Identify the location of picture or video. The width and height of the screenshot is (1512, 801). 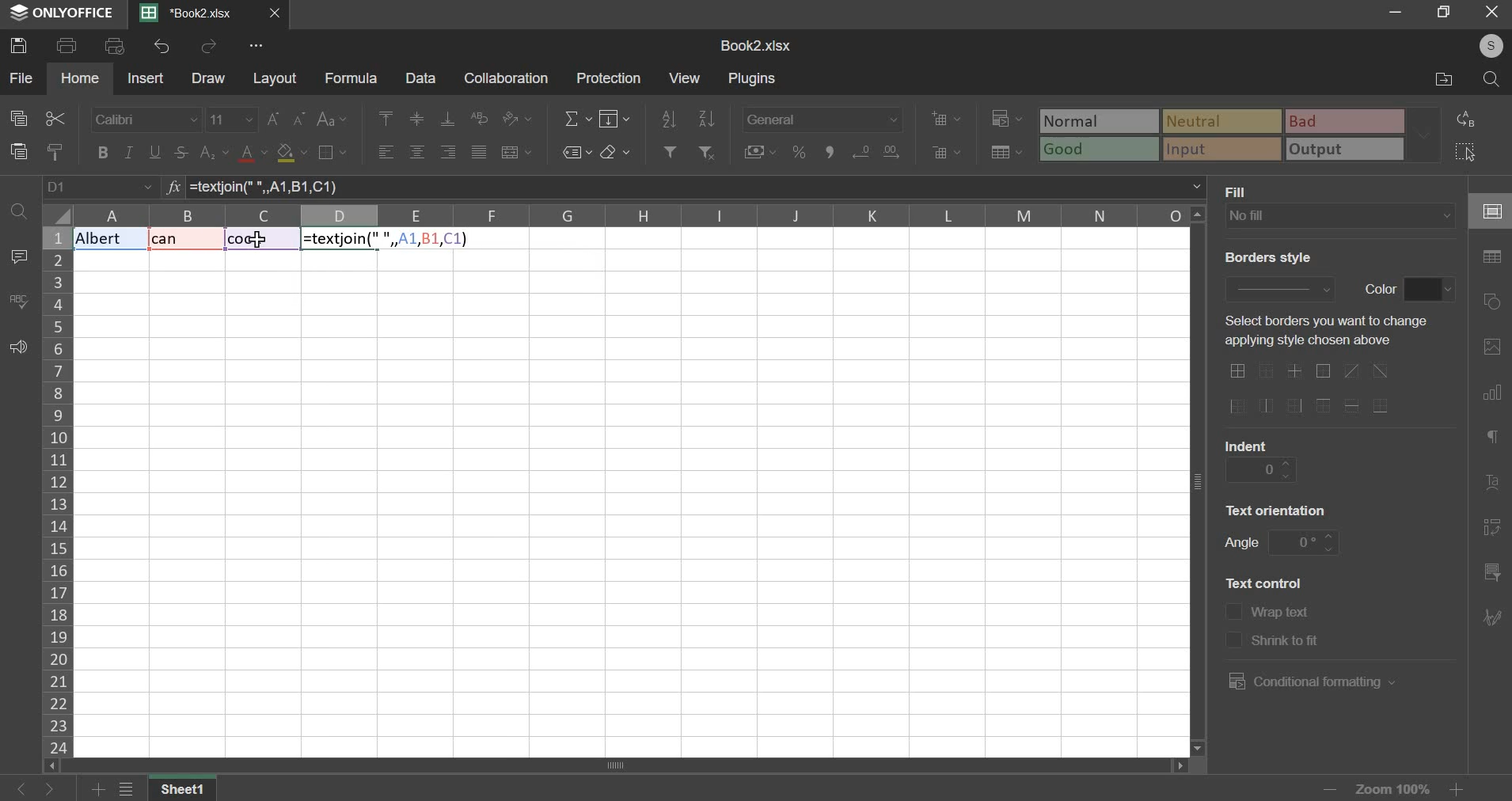
(1491, 348).